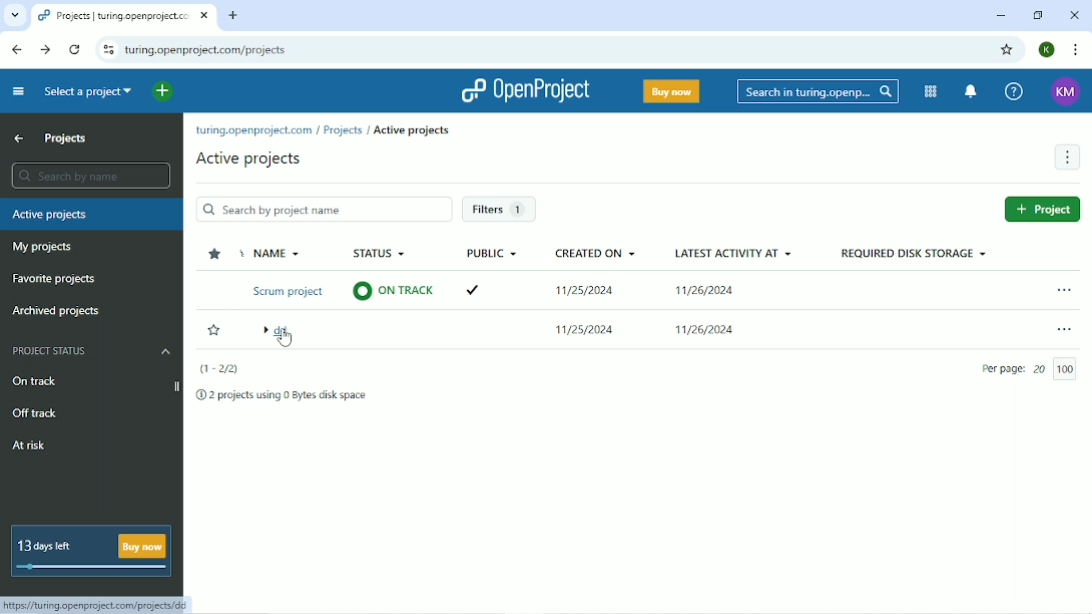  What do you see at coordinates (1066, 157) in the screenshot?
I see `More` at bounding box center [1066, 157].